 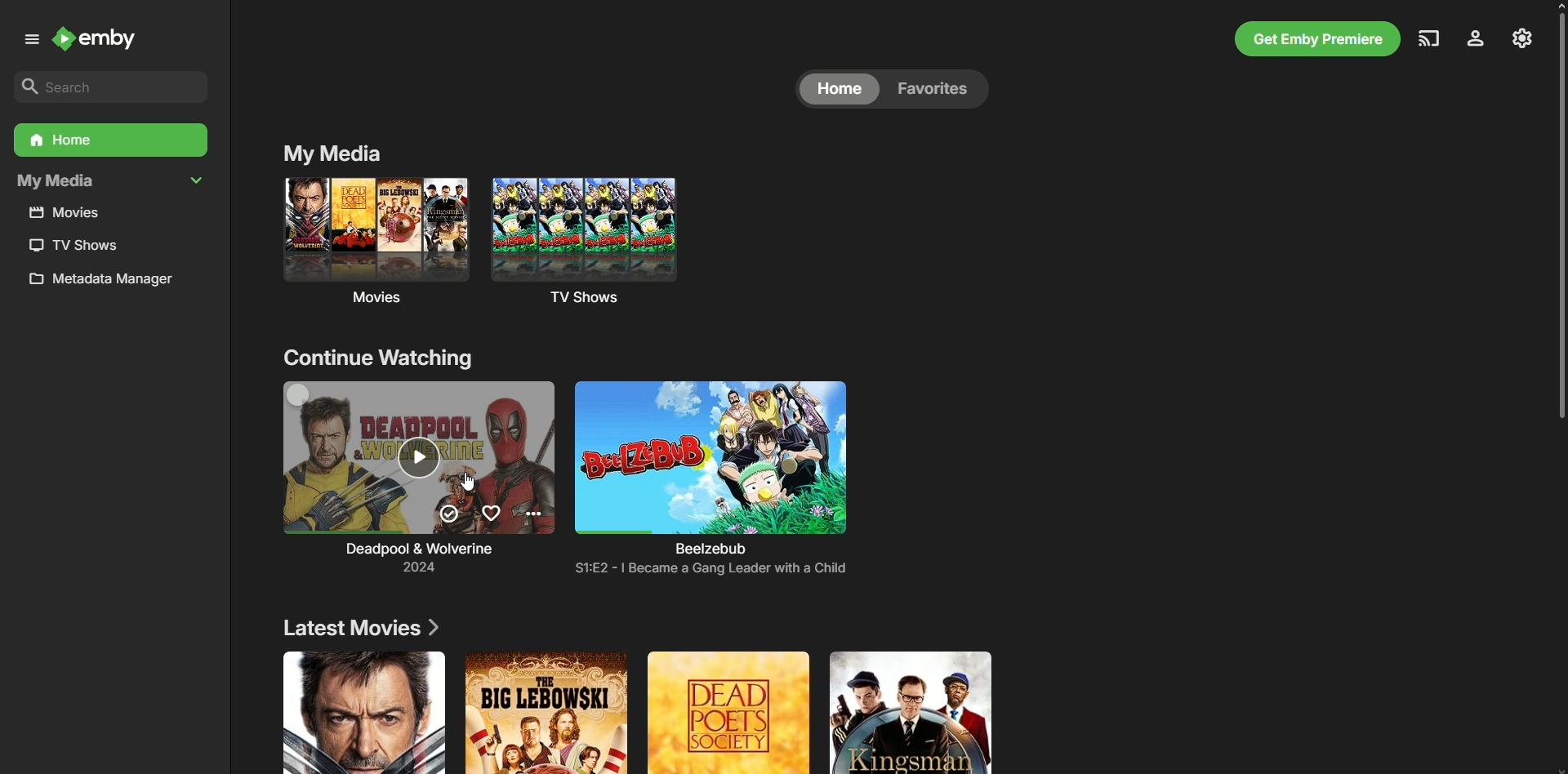 I want to click on Home, so click(x=109, y=140).